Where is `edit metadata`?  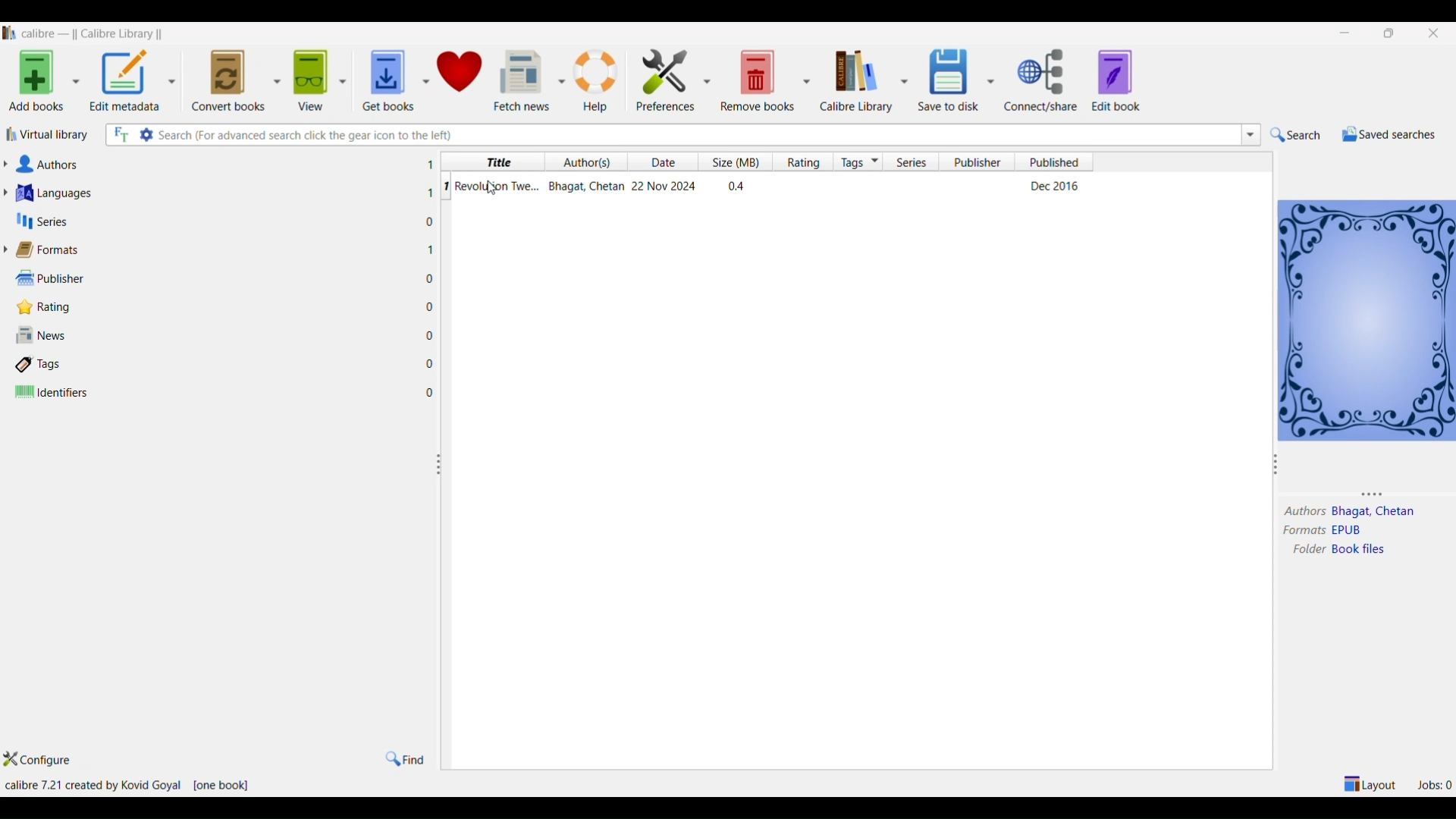 edit metadata is located at coordinates (125, 82).